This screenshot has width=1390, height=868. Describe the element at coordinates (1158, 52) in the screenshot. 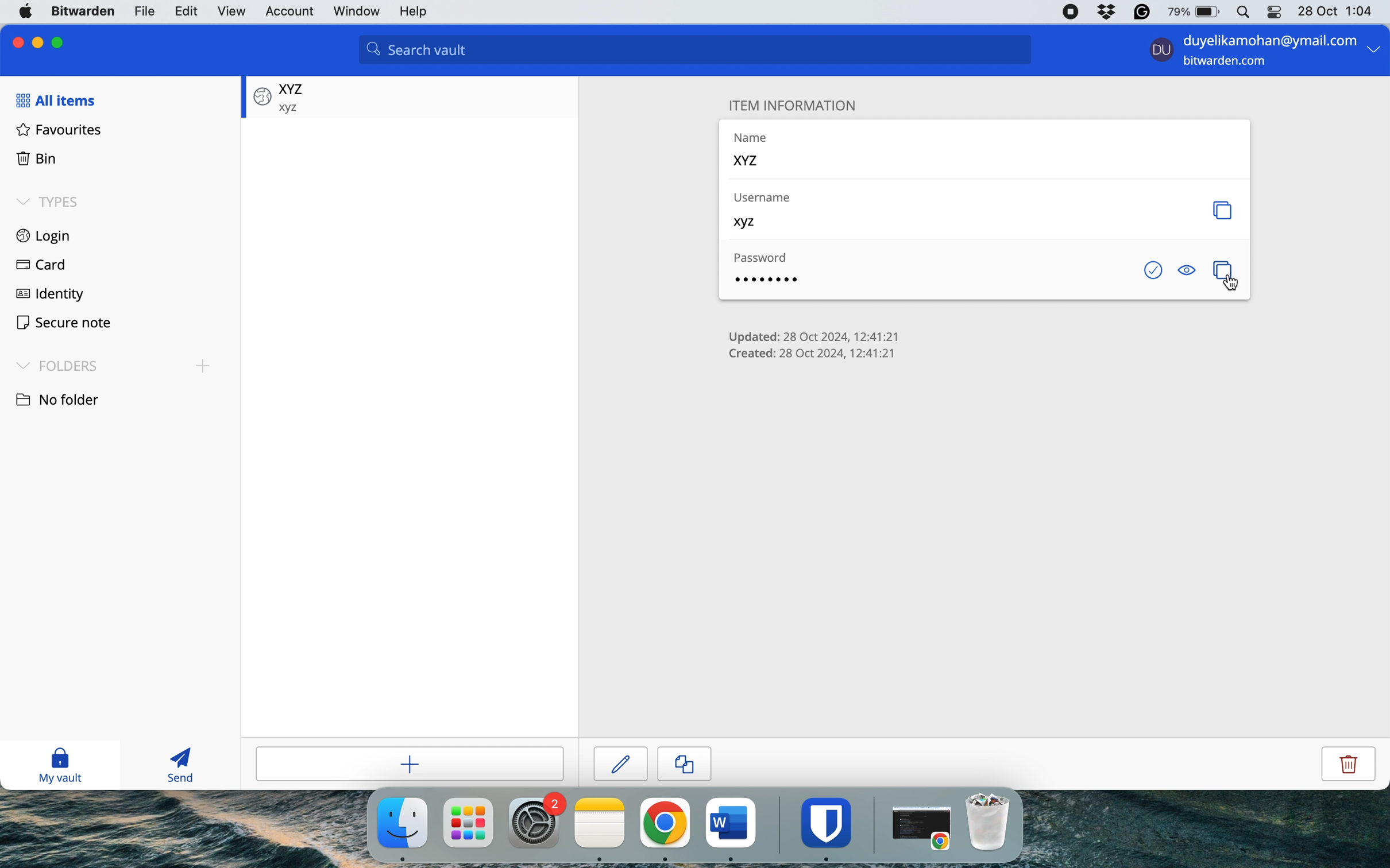

I see `user profile` at that location.